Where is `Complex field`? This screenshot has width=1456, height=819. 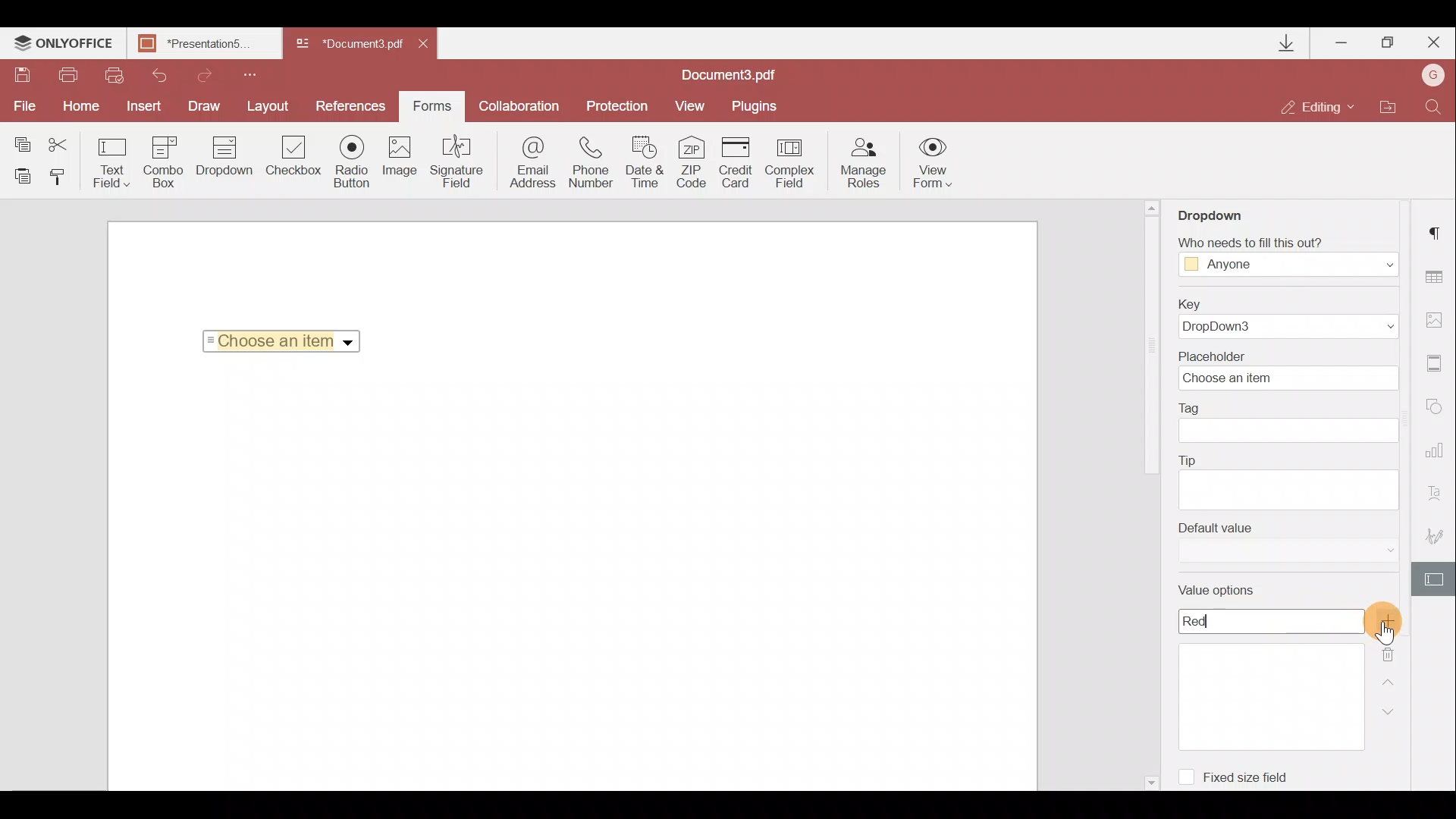 Complex field is located at coordinates (791, 162).